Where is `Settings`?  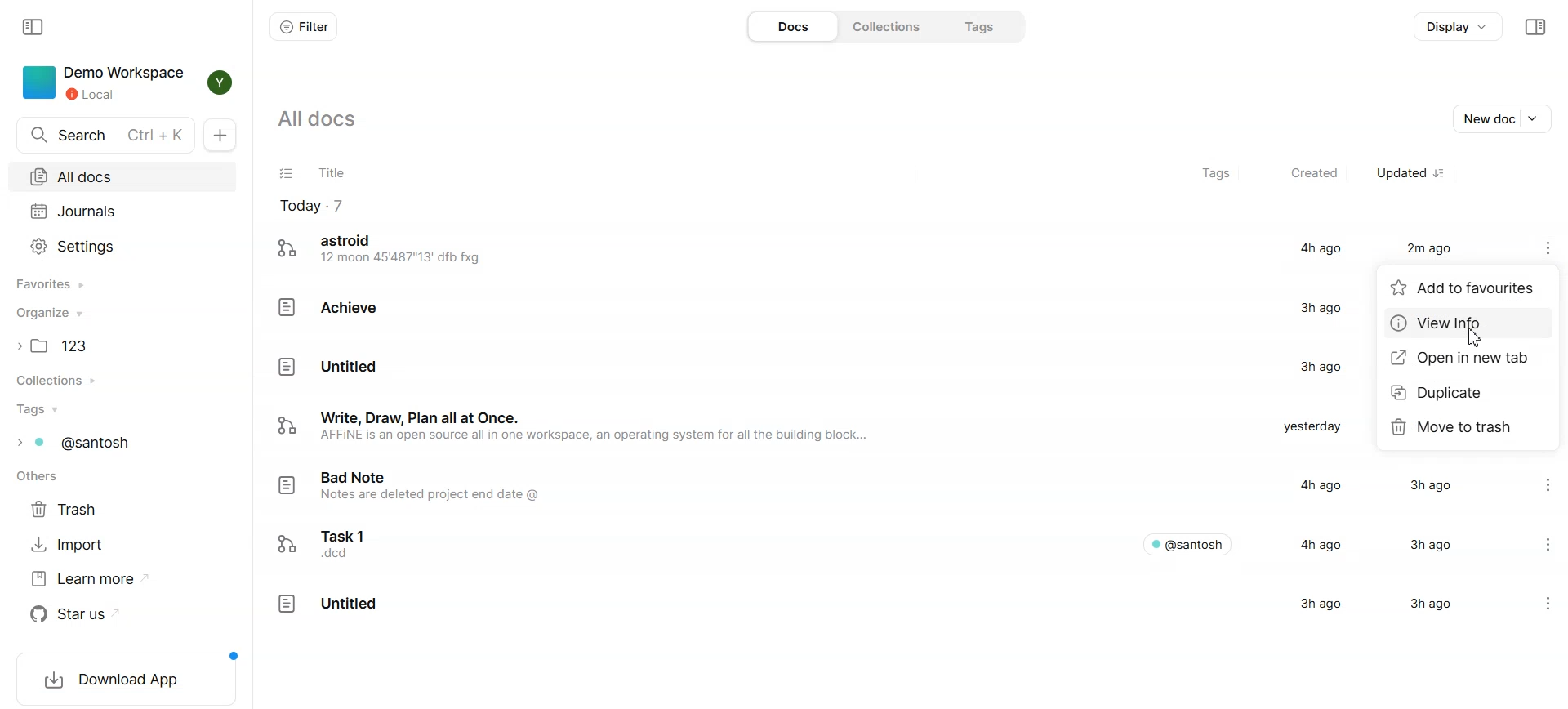
Settings is located at coordinates (1533, 486).